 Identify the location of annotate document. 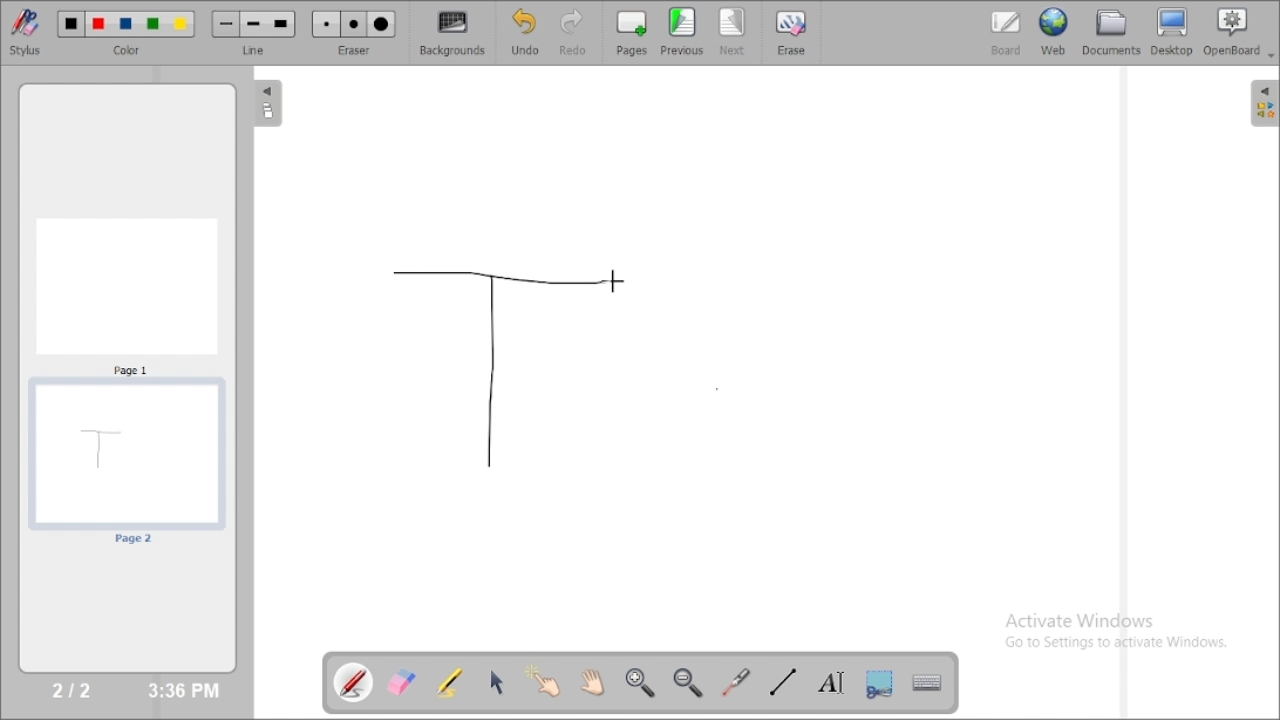
(355, 682).